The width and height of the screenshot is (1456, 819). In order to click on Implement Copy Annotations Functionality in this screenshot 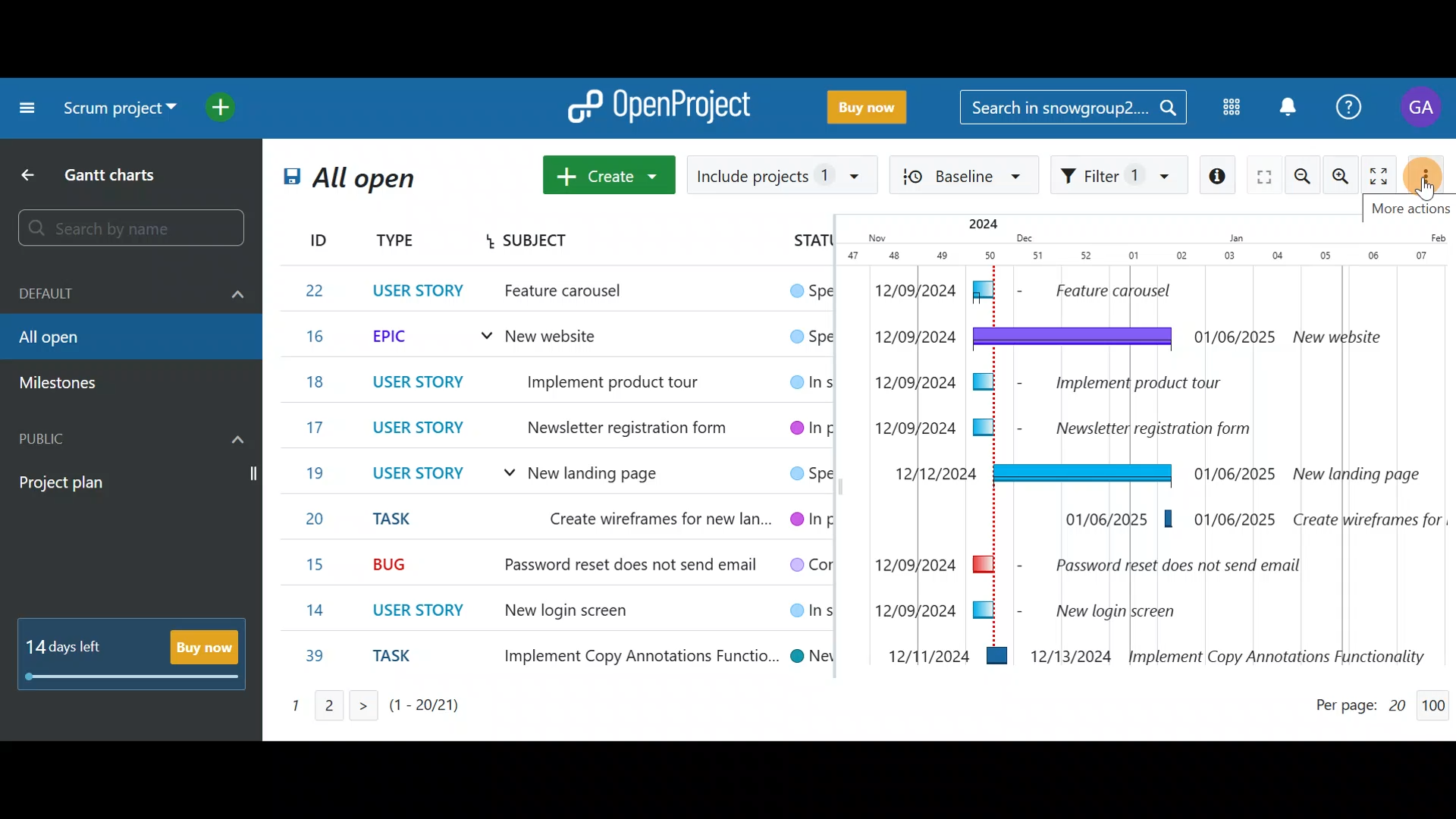, I will do `click(629, 654)`.